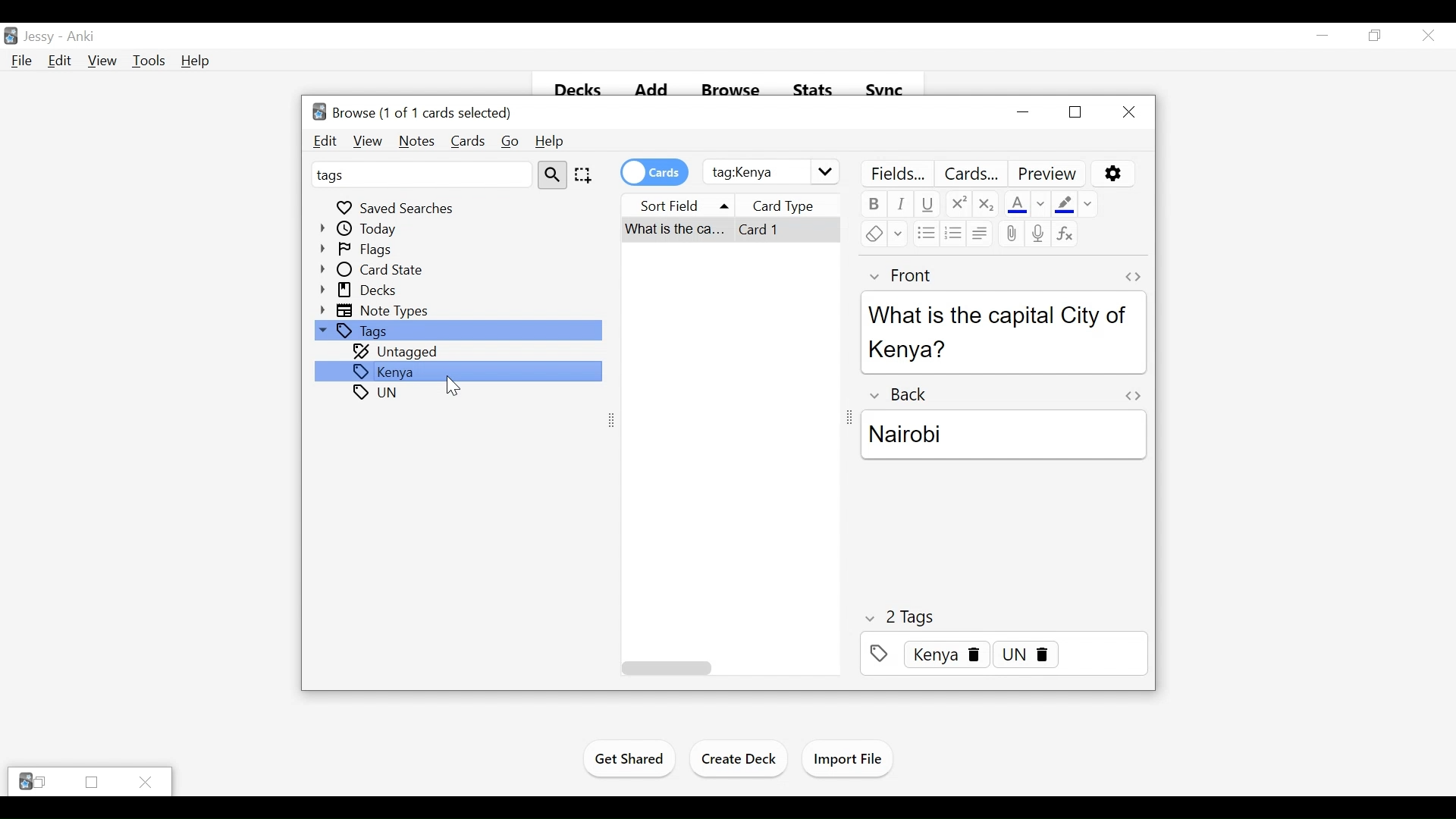 Image resolution: width=1456 pixels, height=819 pixels. Describe the element at coordinates (1003, 434) in the screenshot. I see `Nairobi` at that location.